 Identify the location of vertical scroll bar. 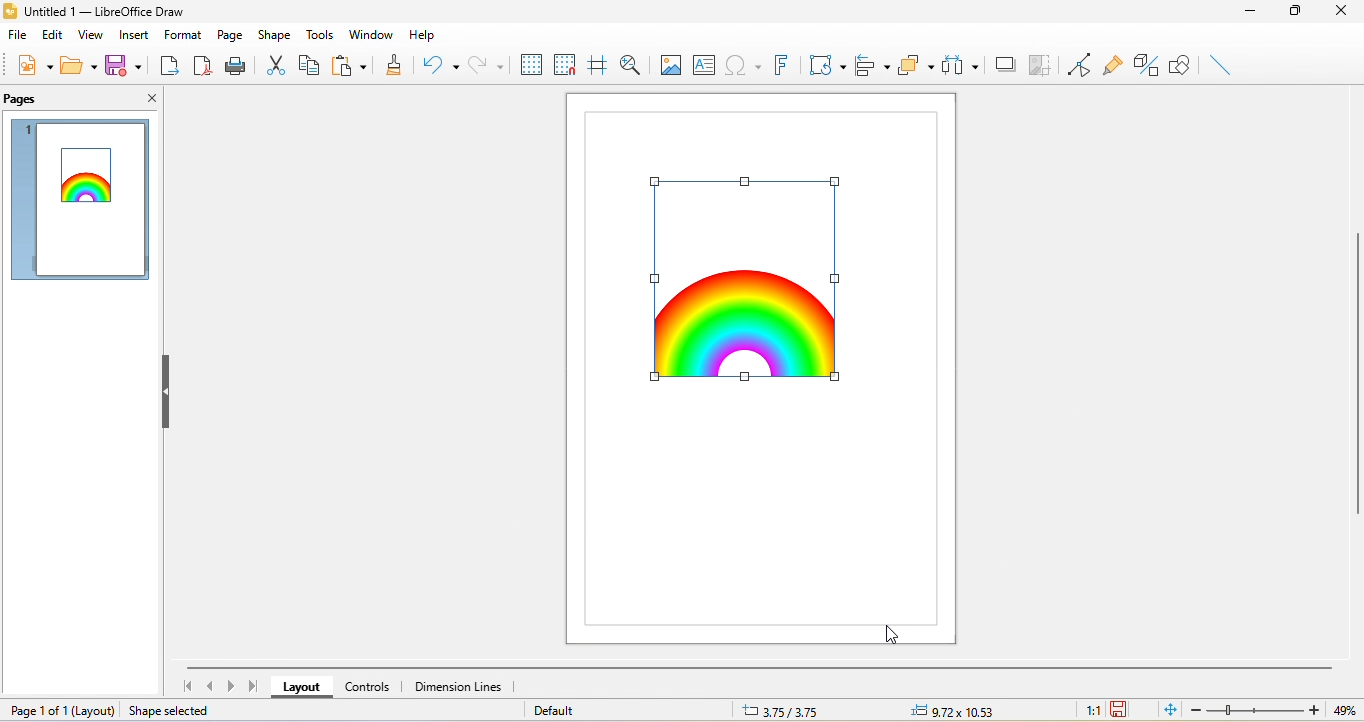
(1355, 379).